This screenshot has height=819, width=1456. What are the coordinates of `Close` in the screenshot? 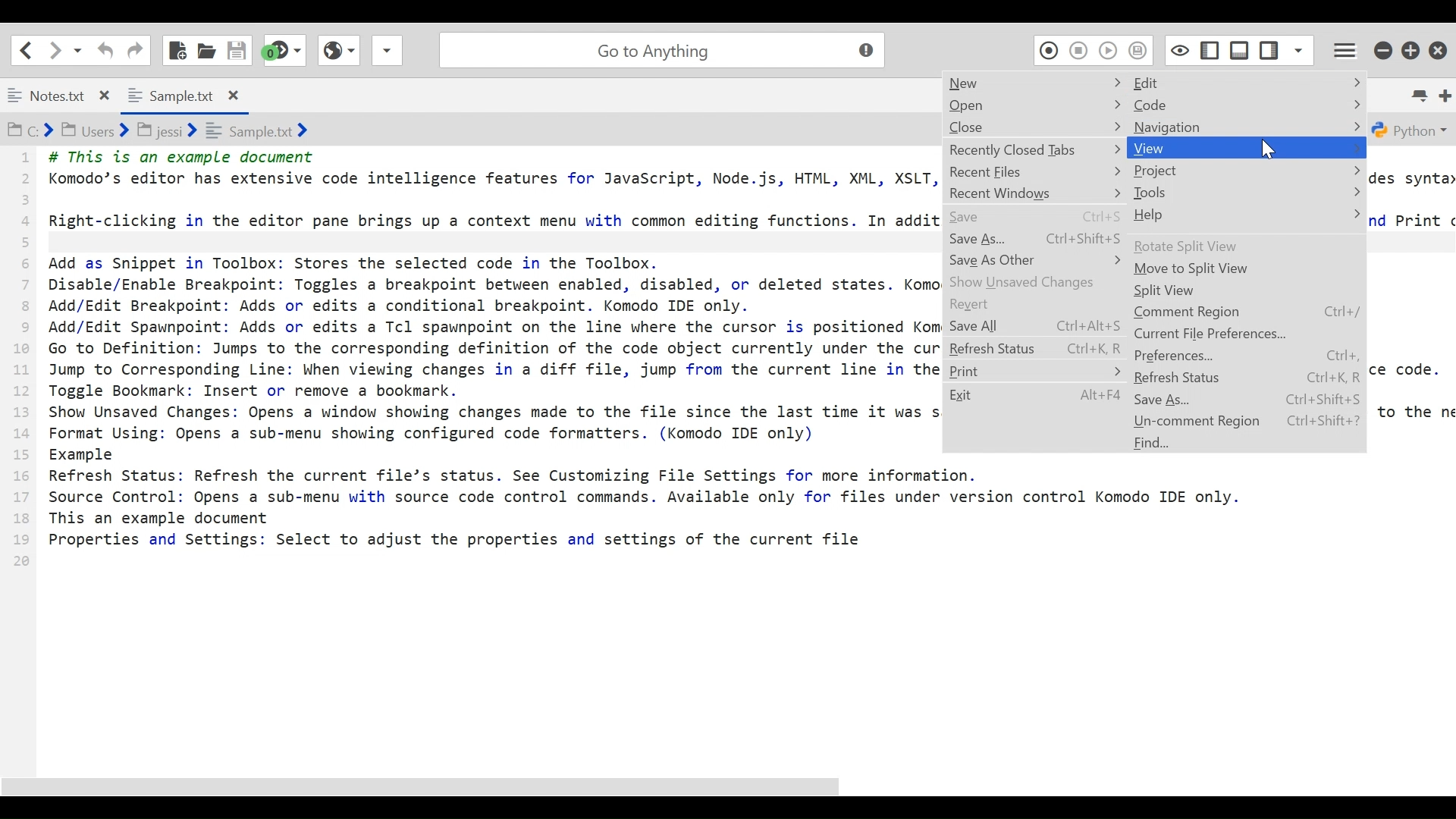 It's located at (1037, 127).